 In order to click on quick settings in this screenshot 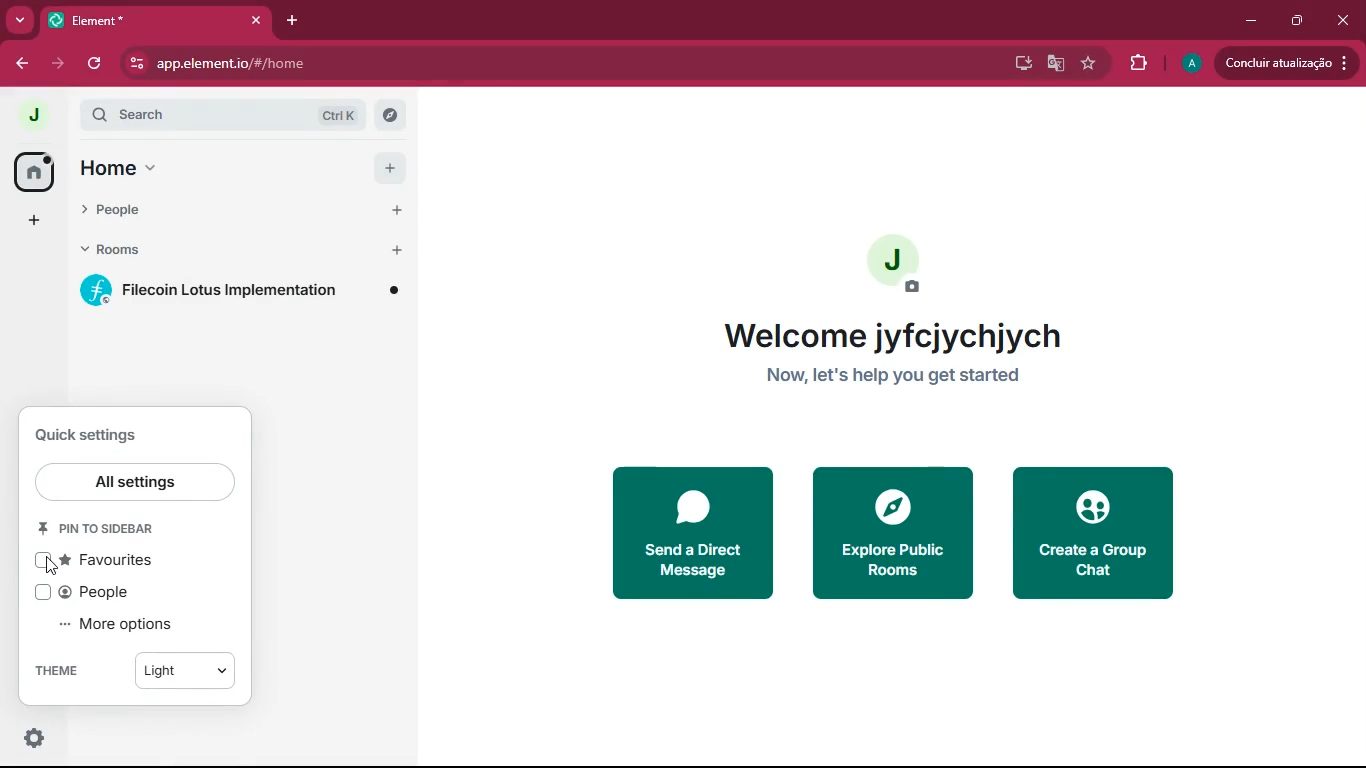, I will do `click(90, 436)`.